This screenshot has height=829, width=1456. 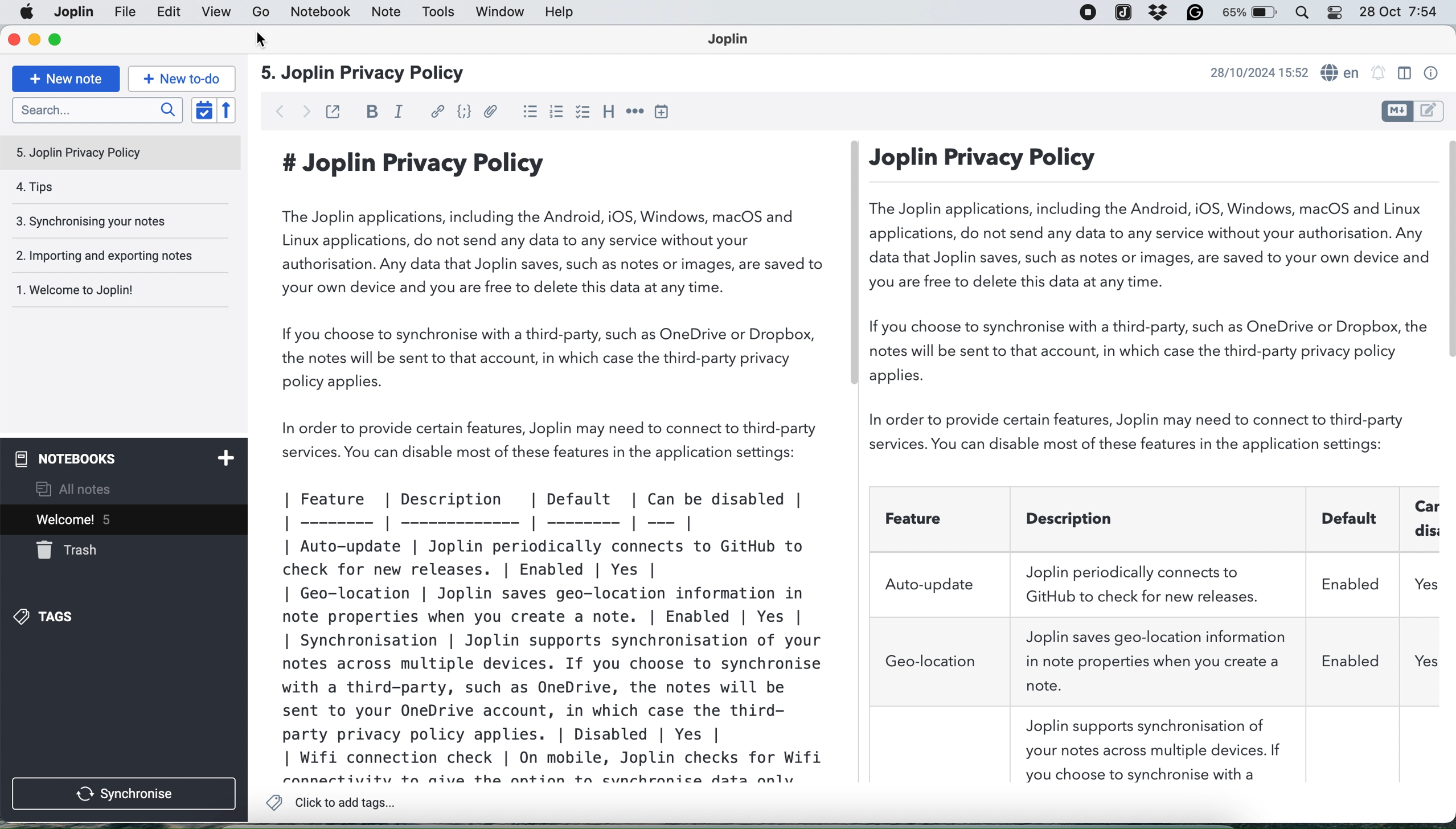 What do you see at coordinates (556, 112) in the screenshot?
I see `numered list` at bounding box center [556, 112].